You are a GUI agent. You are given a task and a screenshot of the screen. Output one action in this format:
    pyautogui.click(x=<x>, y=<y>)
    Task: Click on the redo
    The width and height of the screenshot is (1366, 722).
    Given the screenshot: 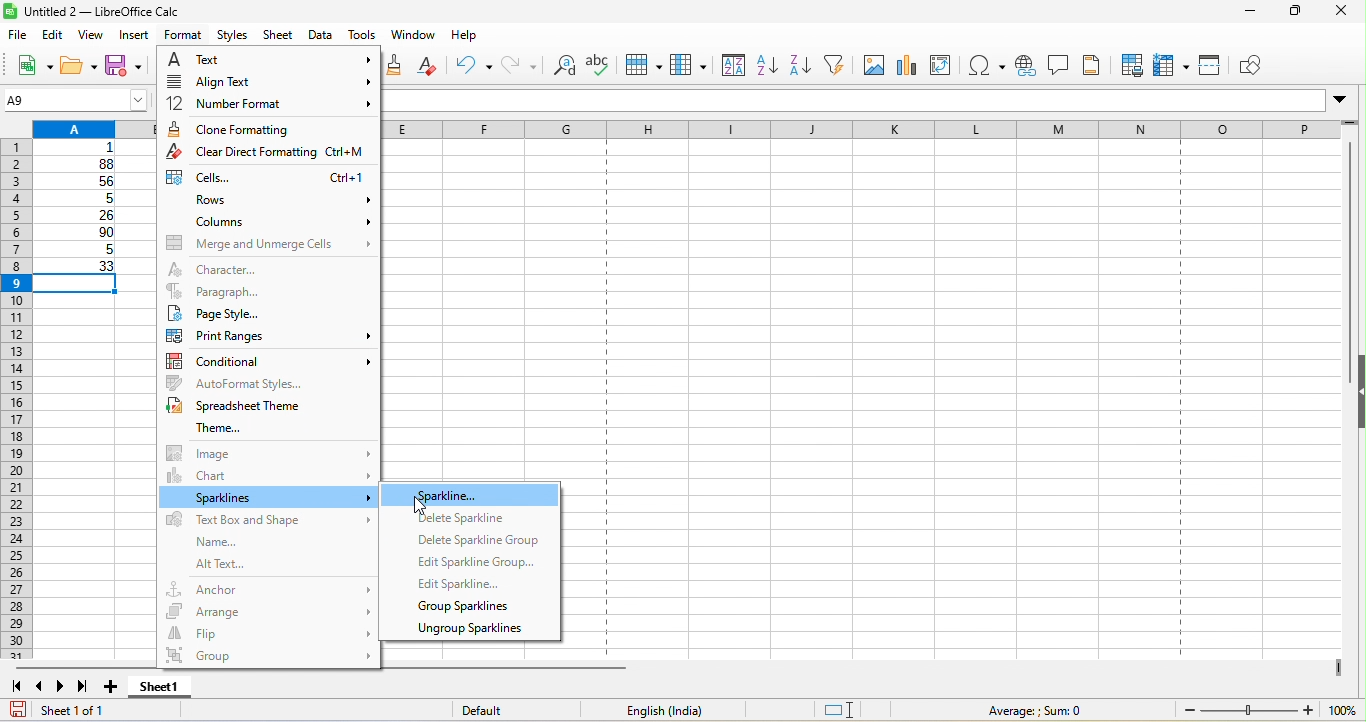 What is the action you would take?
    pyautogui.click(x=521, y=67)
    